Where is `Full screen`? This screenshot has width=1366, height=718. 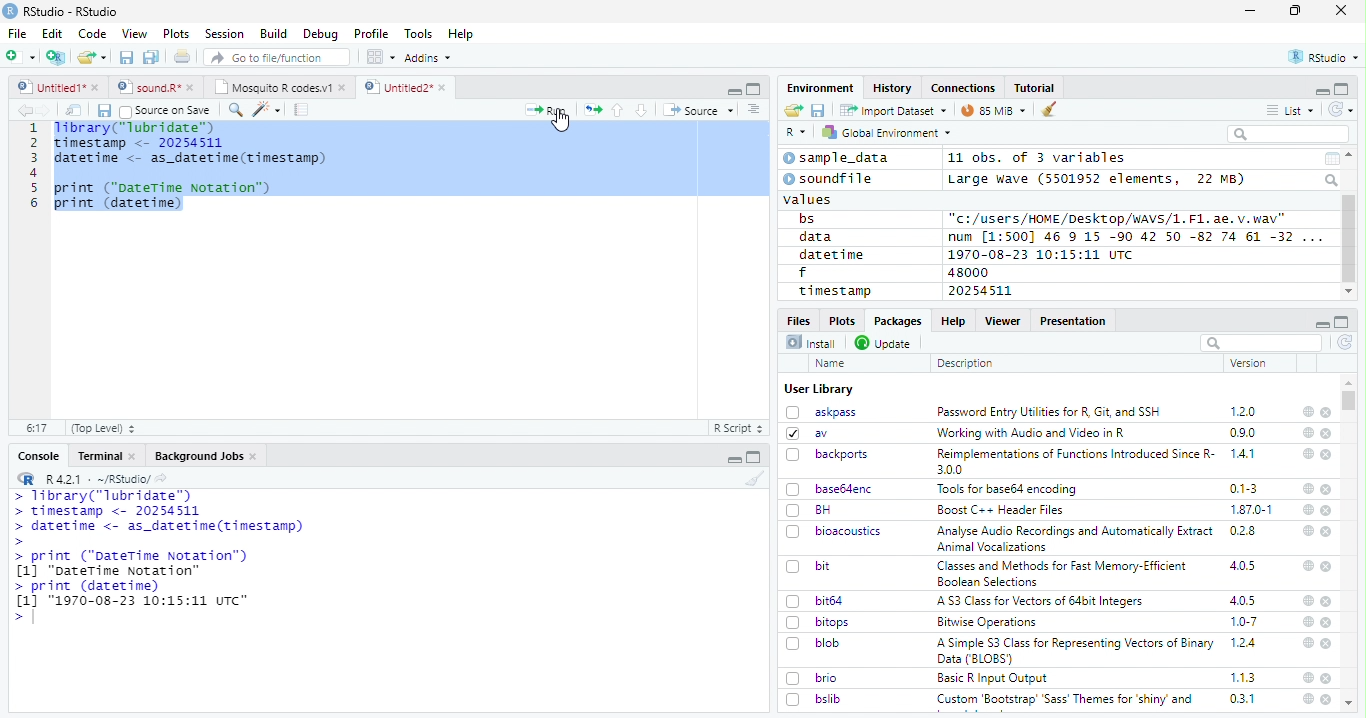 Full screen is located at coordinates (754, 457).